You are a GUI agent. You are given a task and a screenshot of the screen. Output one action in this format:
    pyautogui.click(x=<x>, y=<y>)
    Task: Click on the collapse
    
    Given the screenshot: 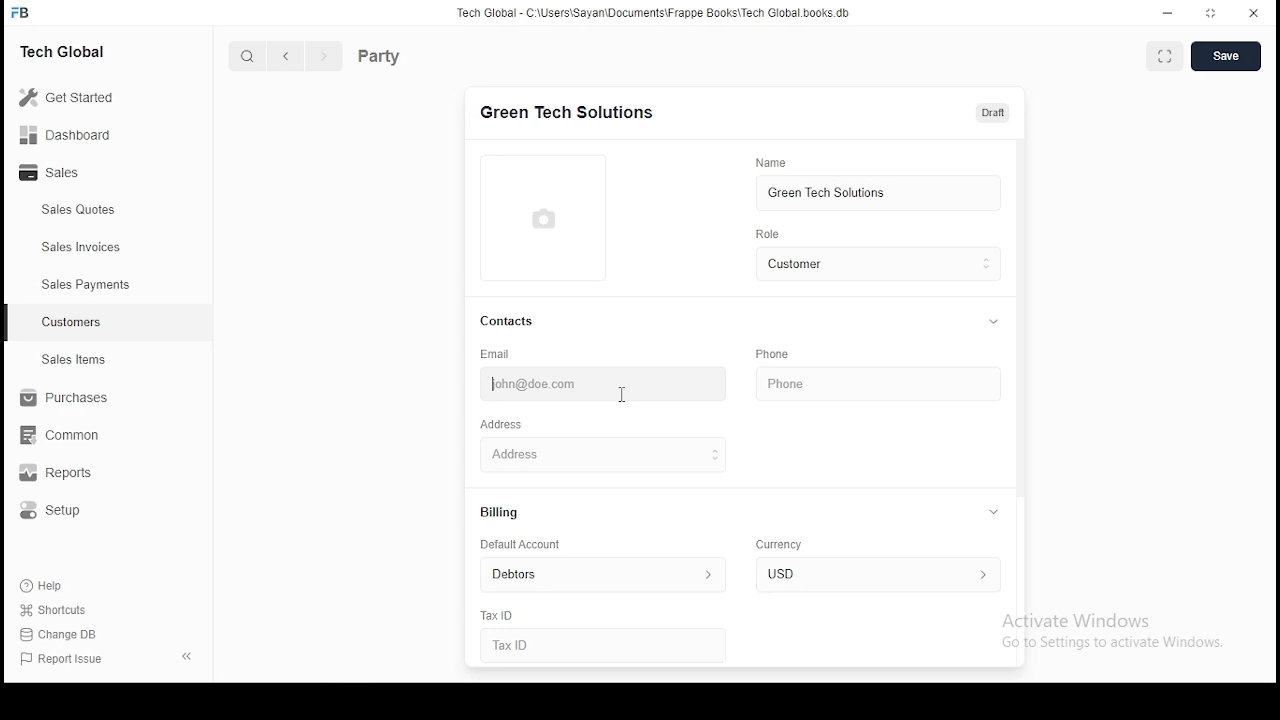 What is the action you would take?
    pyautogui.click(x=997, y=513)
    